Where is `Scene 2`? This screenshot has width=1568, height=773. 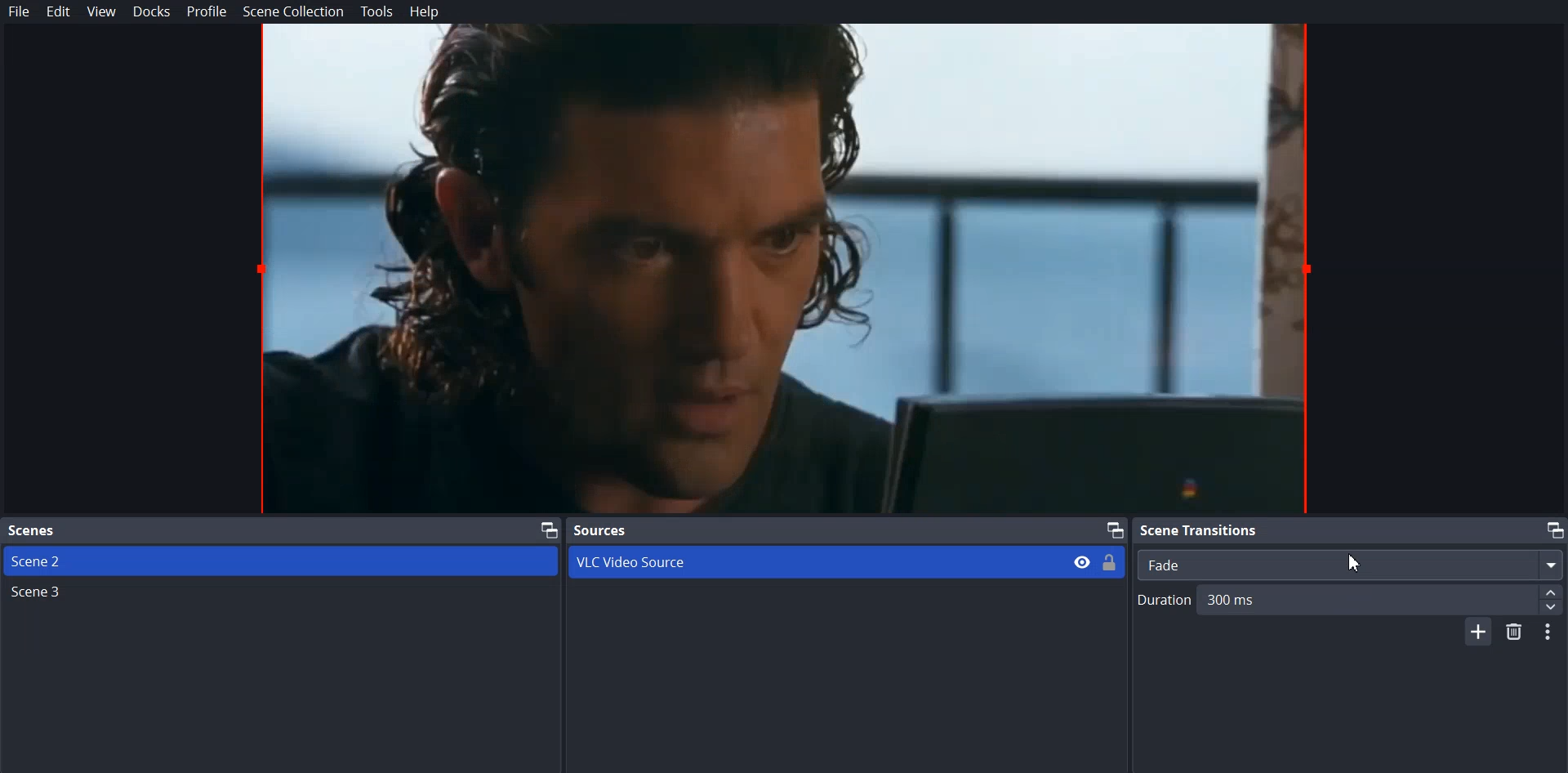
Scene 2 is located at coordinates (282, 561).